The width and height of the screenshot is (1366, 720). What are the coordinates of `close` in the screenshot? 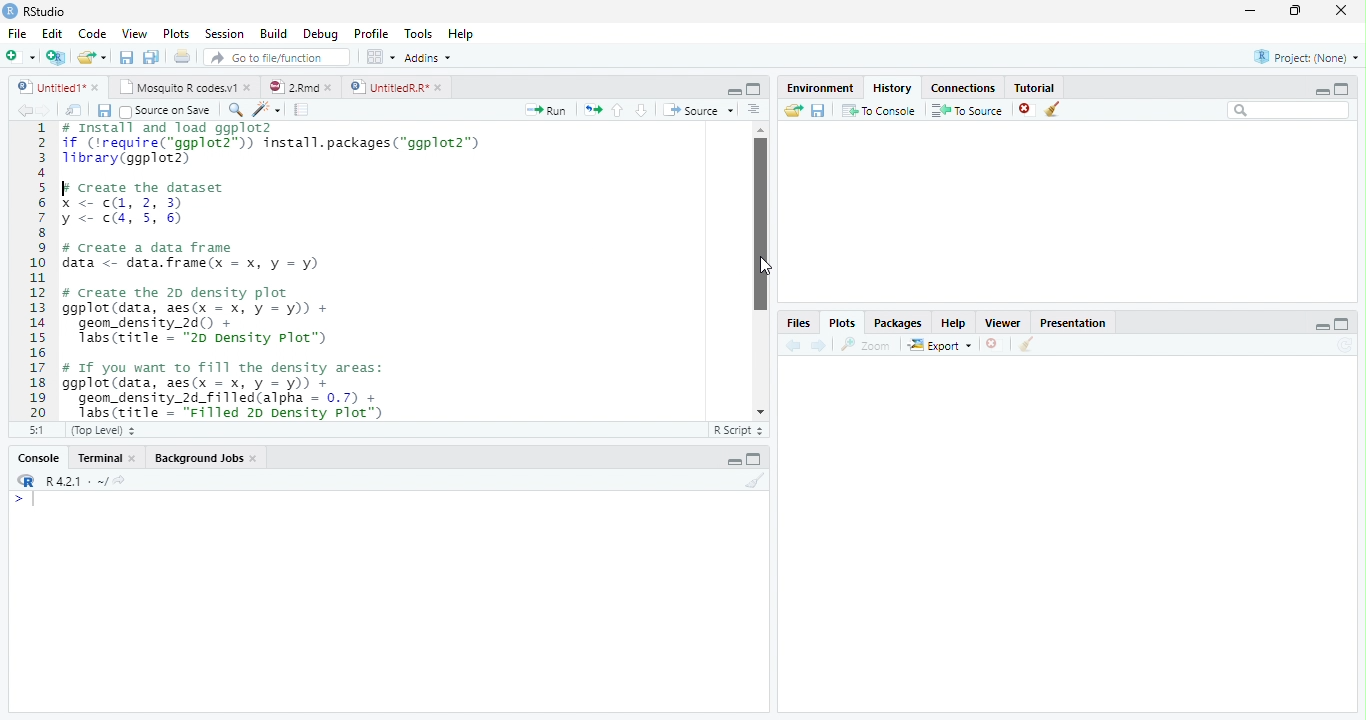 It's located at (250, 88).